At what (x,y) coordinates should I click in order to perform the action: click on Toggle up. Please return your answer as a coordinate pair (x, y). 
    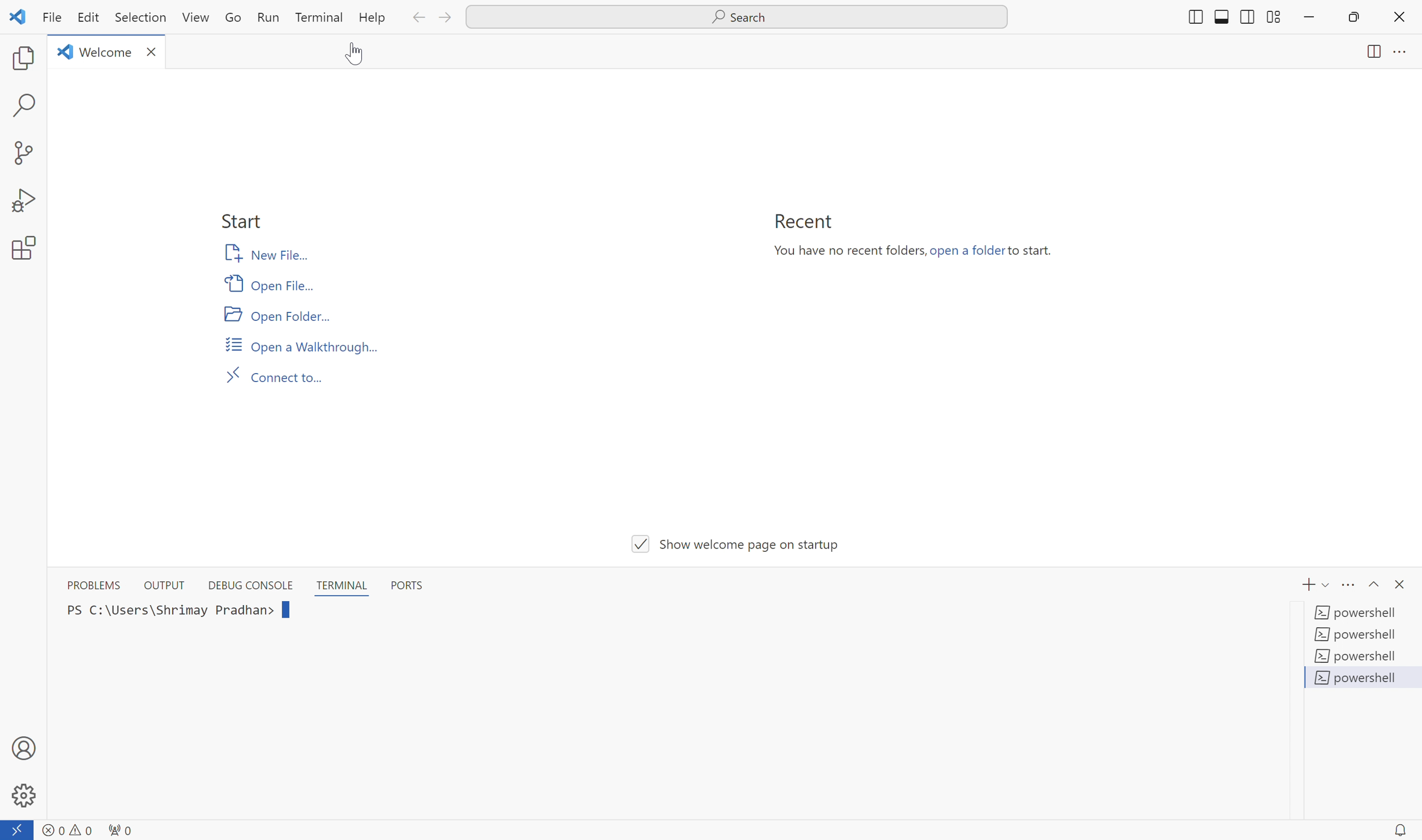
    Looking at the image, I should click on (1376, 584).